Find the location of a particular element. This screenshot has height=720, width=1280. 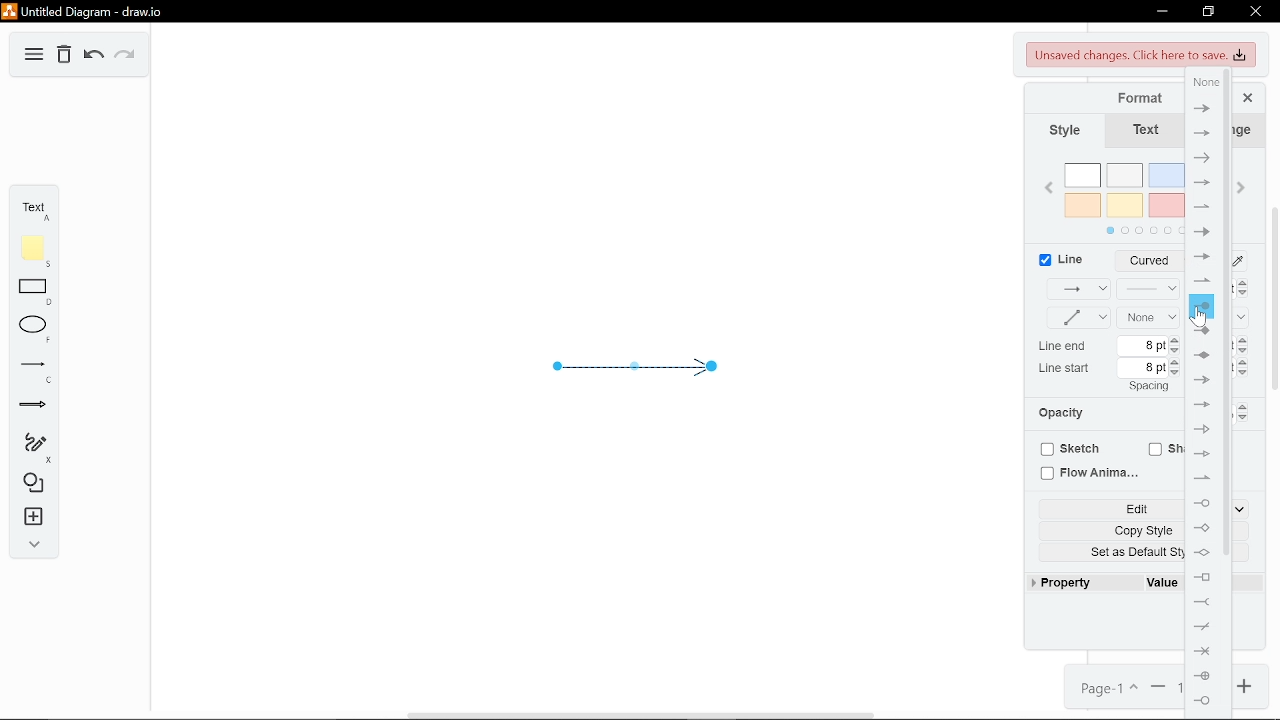

Increase Line start spacing is located at coordinates (1178, 363).